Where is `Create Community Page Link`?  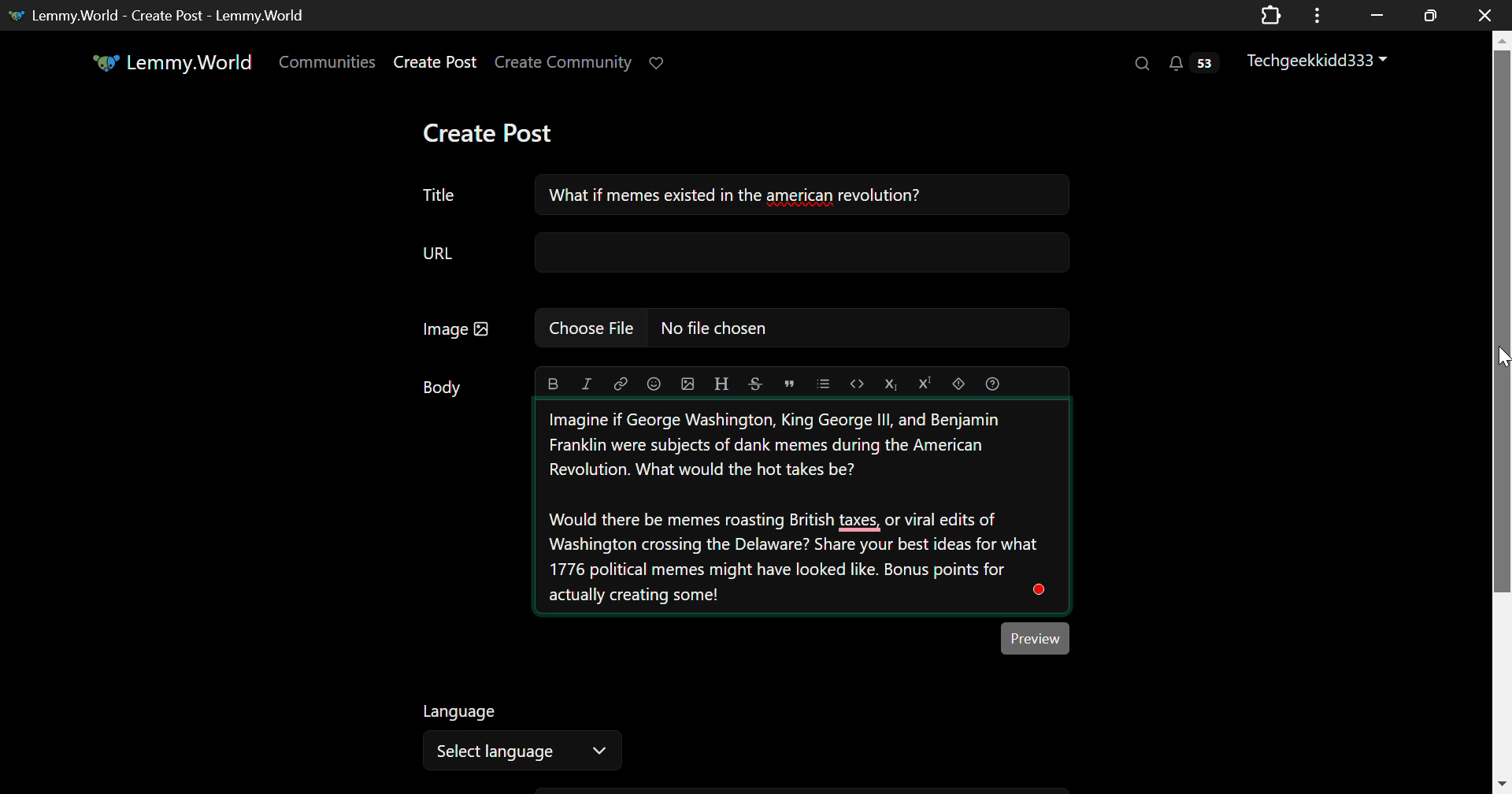
Create Community Page Link is located at coordinates (564, 61).